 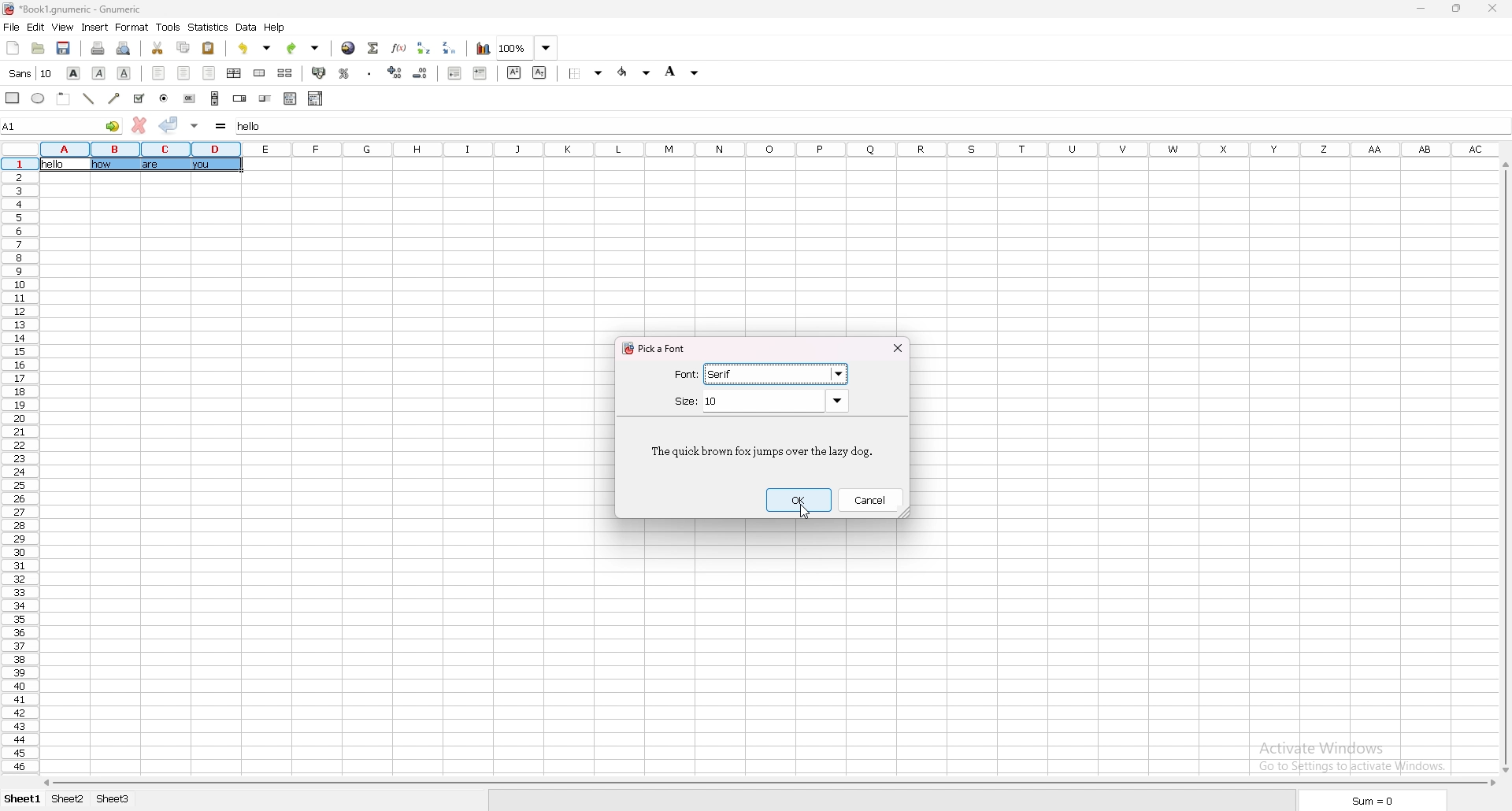 I want to click on underline, so click(x=124, y=72).